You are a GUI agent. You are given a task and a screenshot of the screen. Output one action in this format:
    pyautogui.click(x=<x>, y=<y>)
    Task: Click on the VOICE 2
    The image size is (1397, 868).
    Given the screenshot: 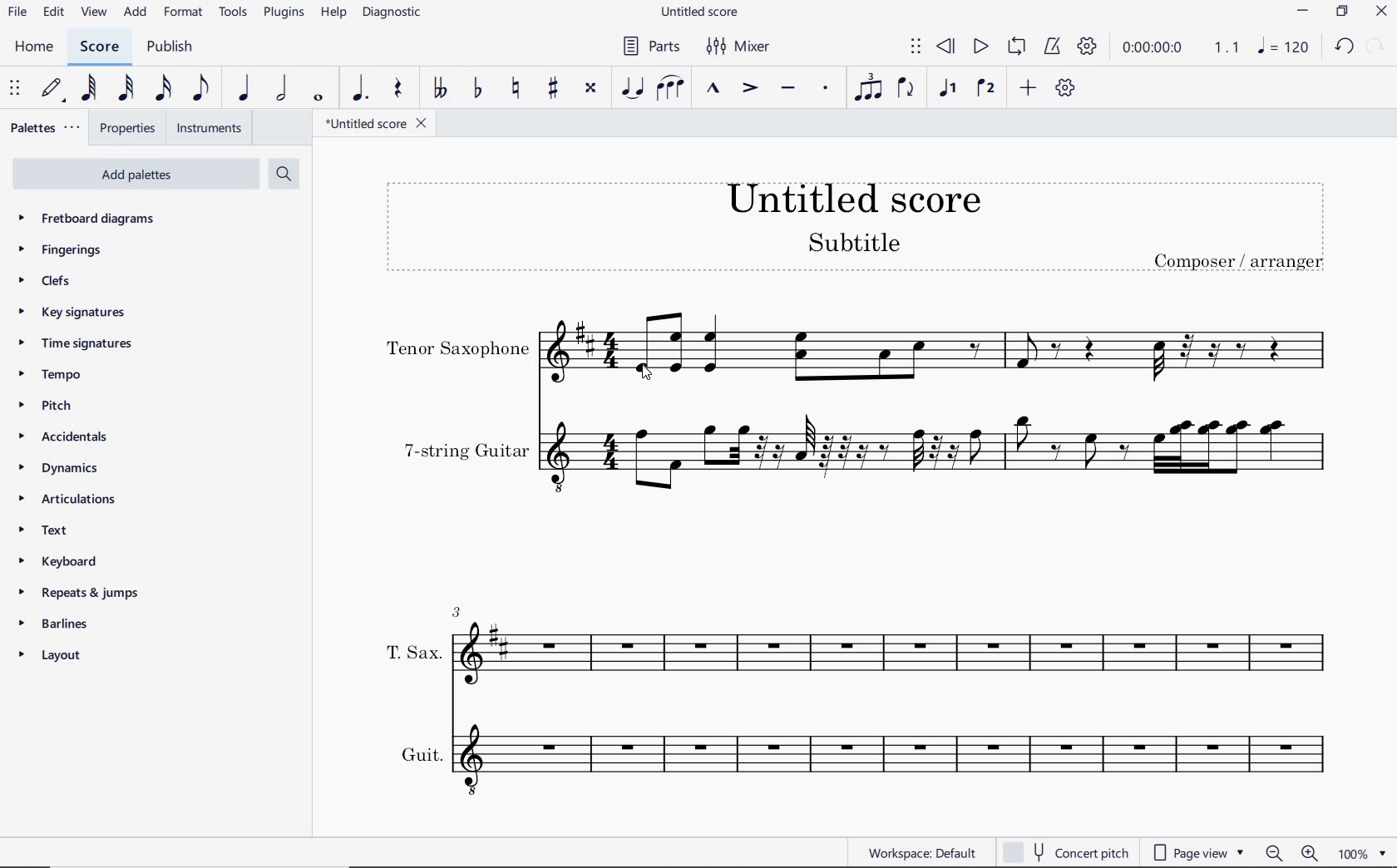 What is the action you would take?
    pyautogui.click(x=988, y=89)
    